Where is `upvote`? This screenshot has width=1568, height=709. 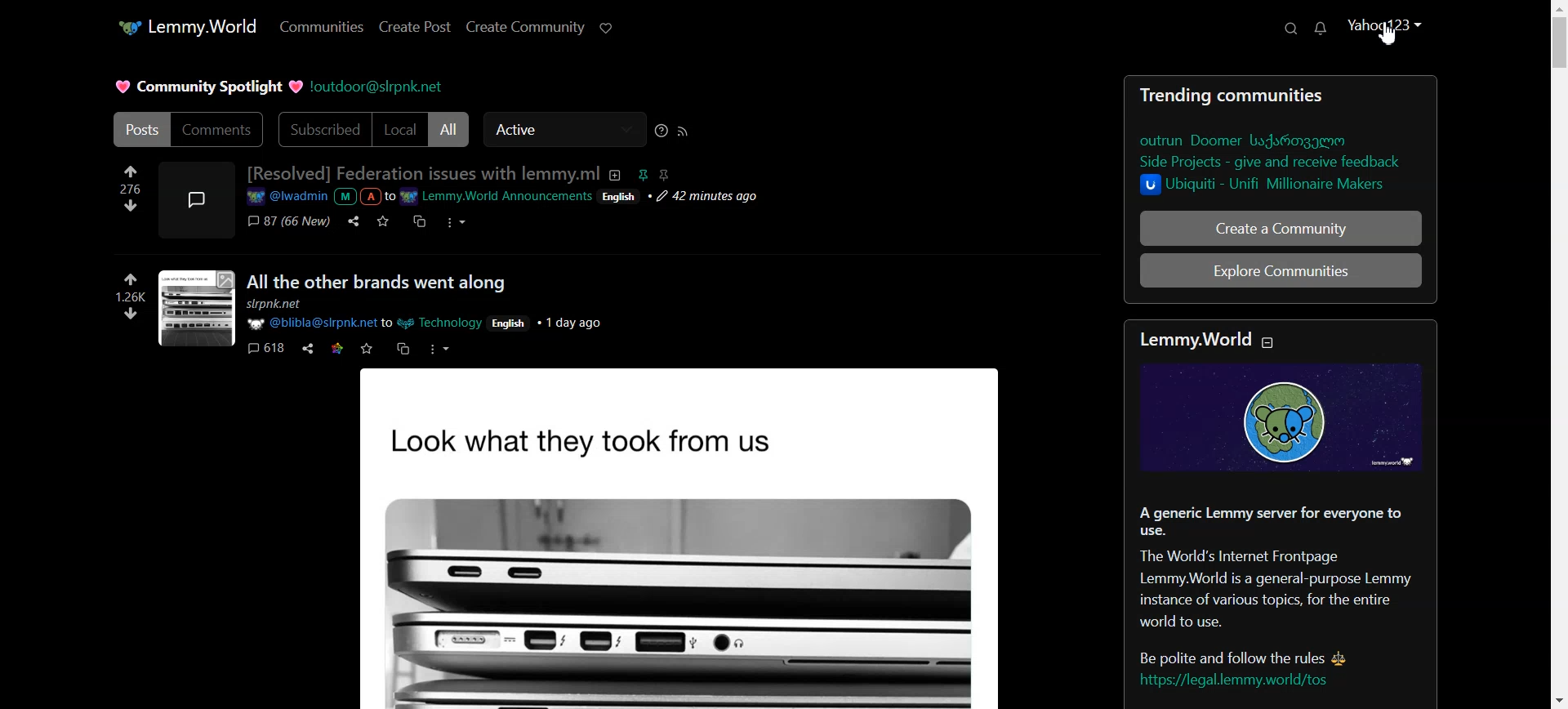
upvote is located at coordinates (131, 279).